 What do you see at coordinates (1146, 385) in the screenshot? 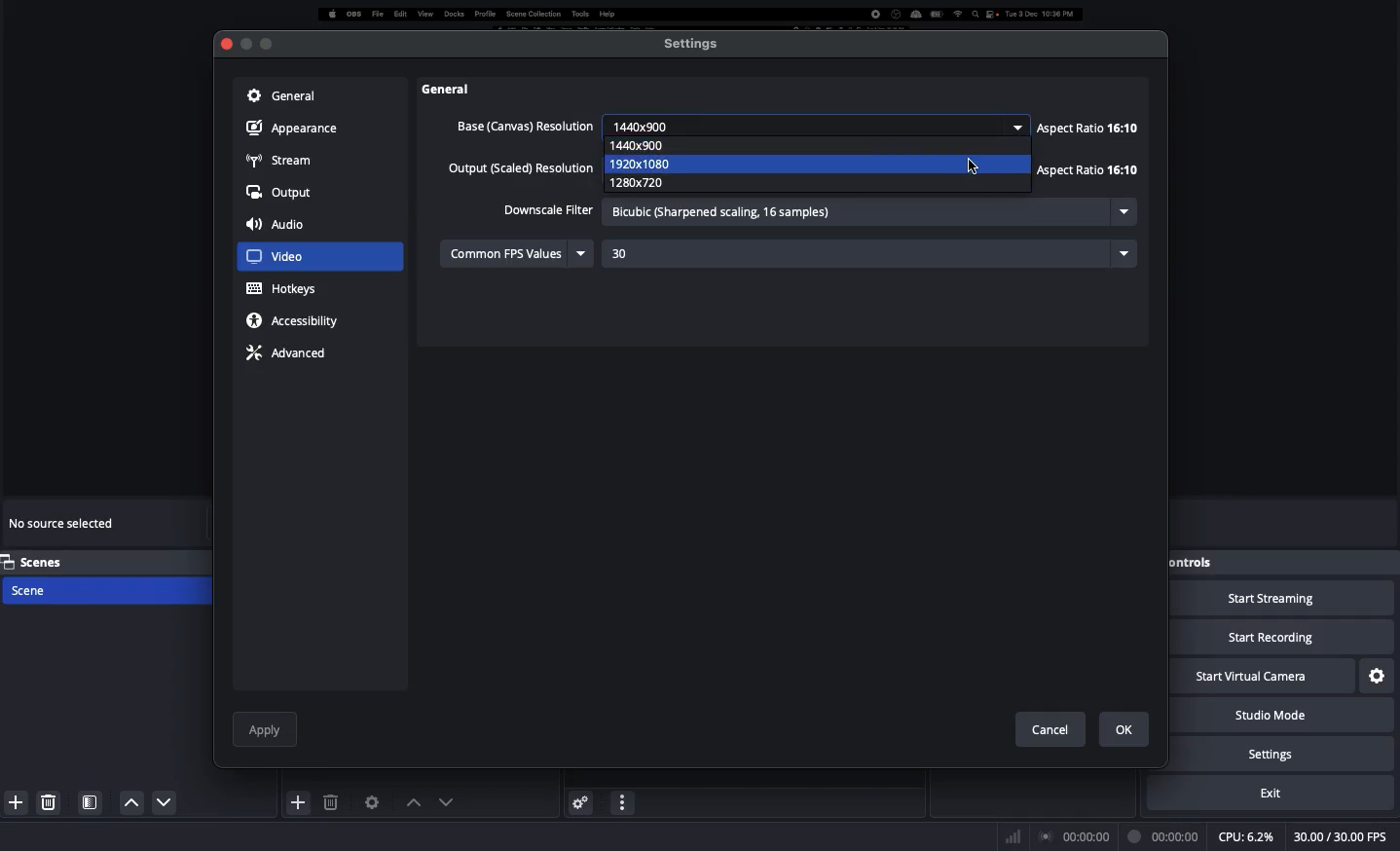
I see `Scroll` at bounding box center [1146, 385].